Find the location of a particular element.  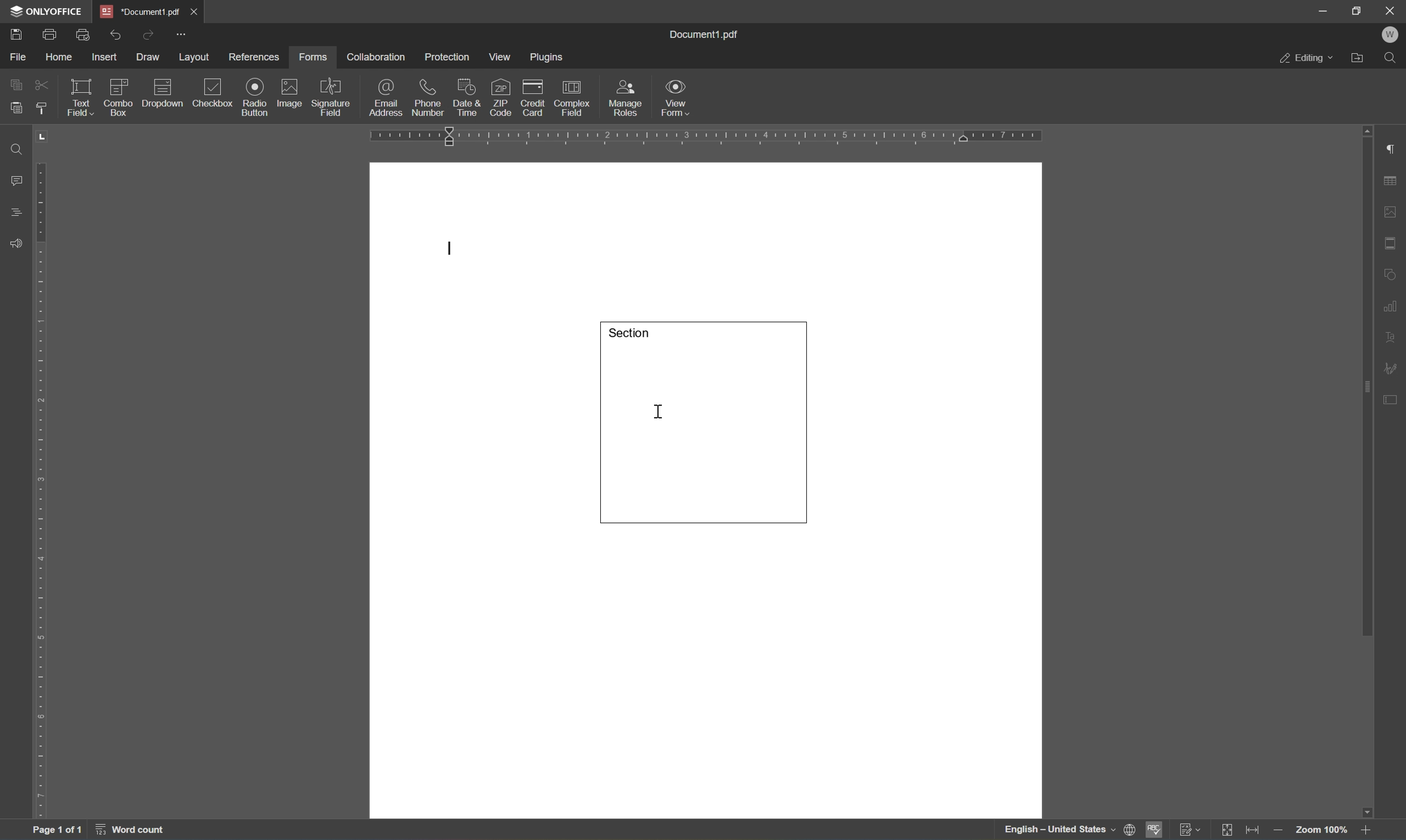

radio button is located at coordinates (254, 96).